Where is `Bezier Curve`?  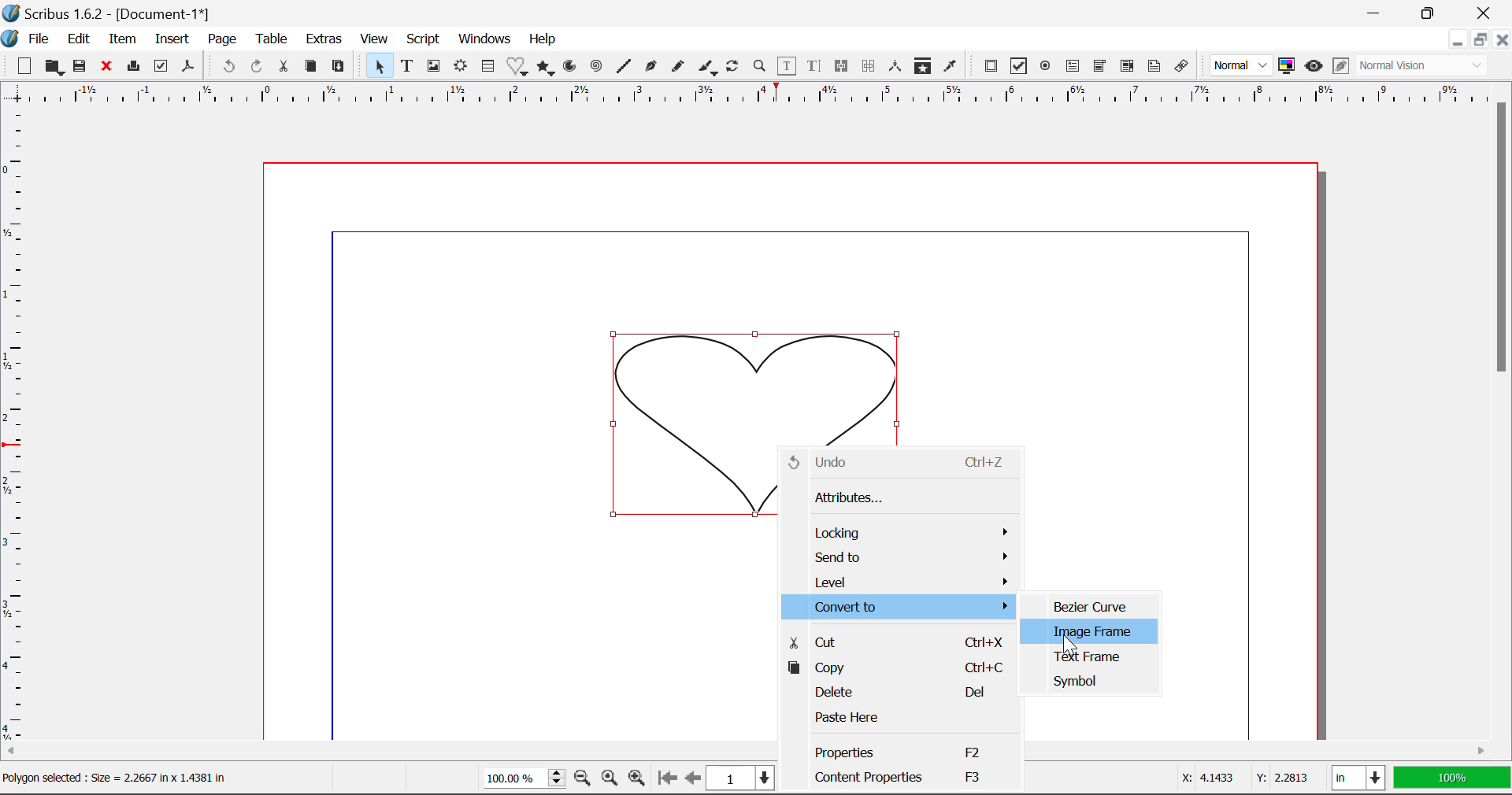 Bezier Curve is located at coordinates (1095, 603).